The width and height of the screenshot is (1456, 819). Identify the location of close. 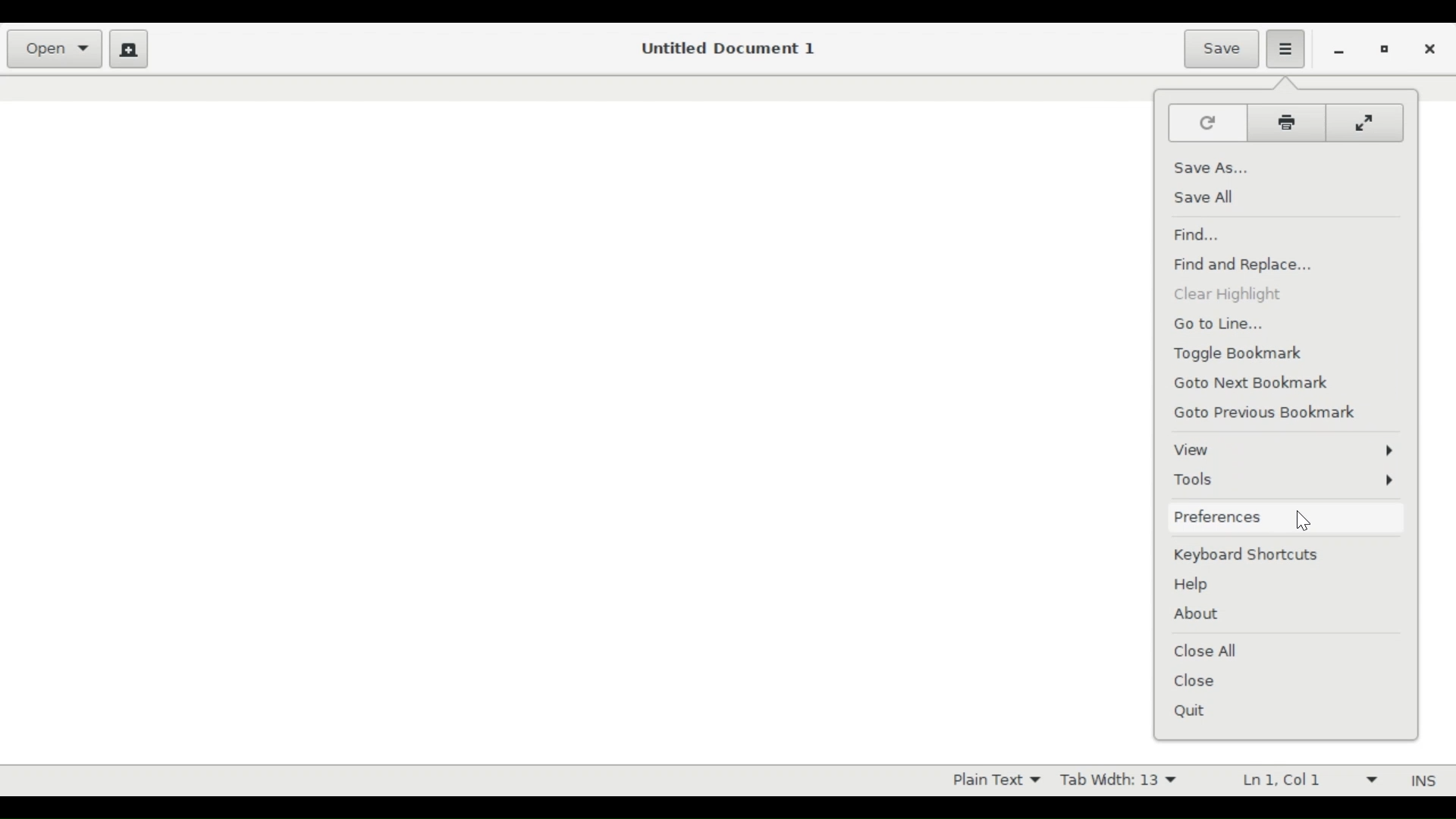
(1429, 49).